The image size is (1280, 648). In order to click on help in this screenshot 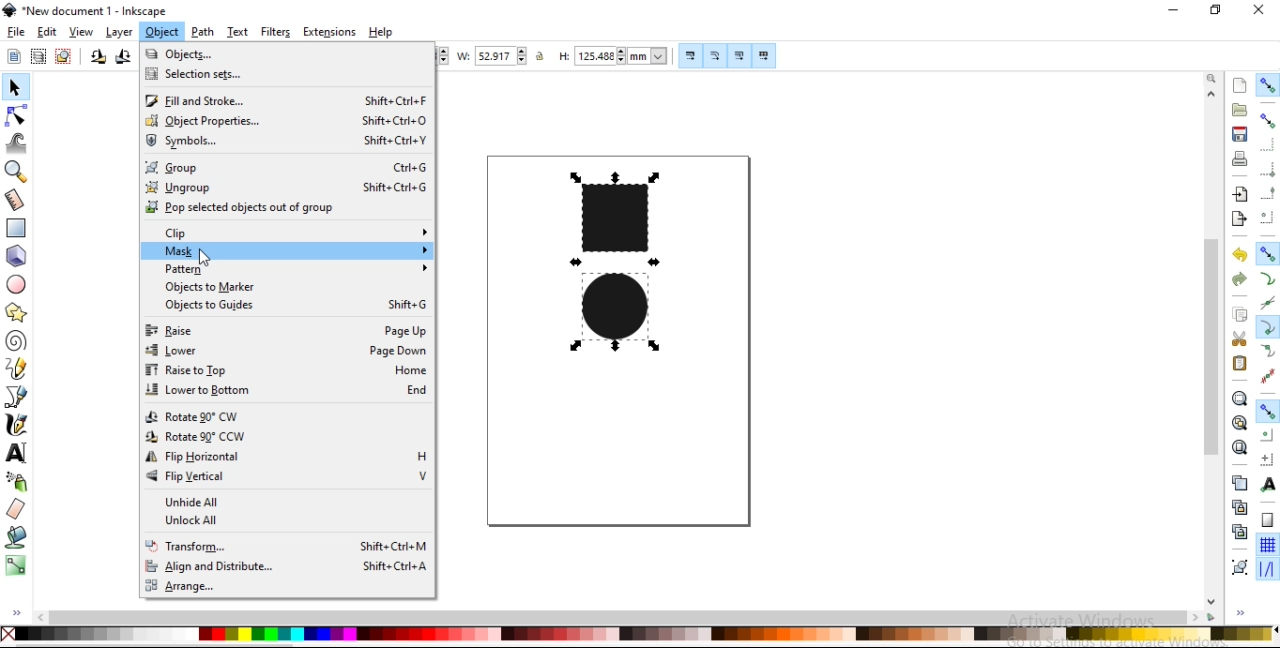, I will do `click(381, 32)`.